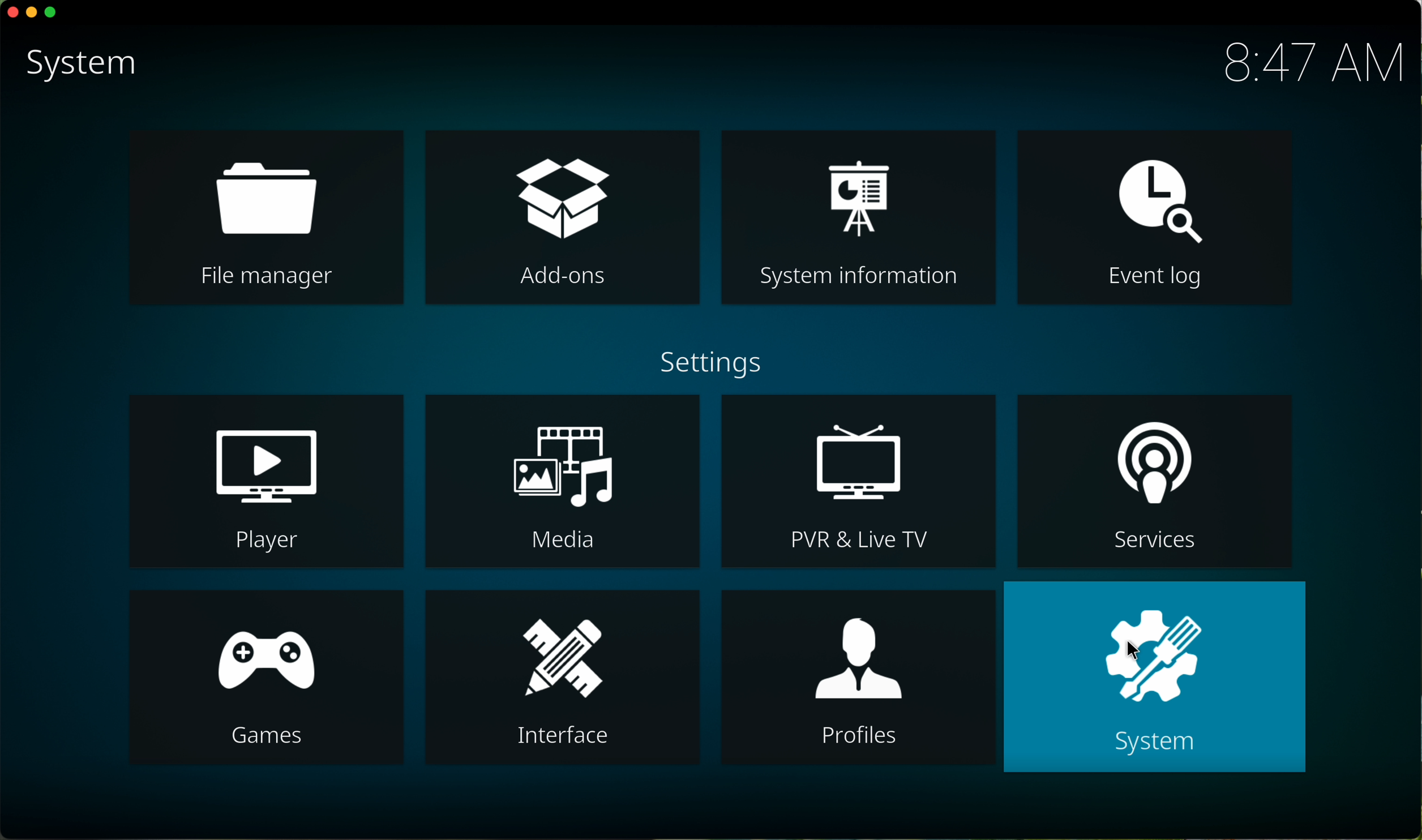 The width and height of the screenshot is (1422, 840). What do you see at coordinates (860, 217) in the screenshot?
I see `system information` at bounding box center [860, 217].